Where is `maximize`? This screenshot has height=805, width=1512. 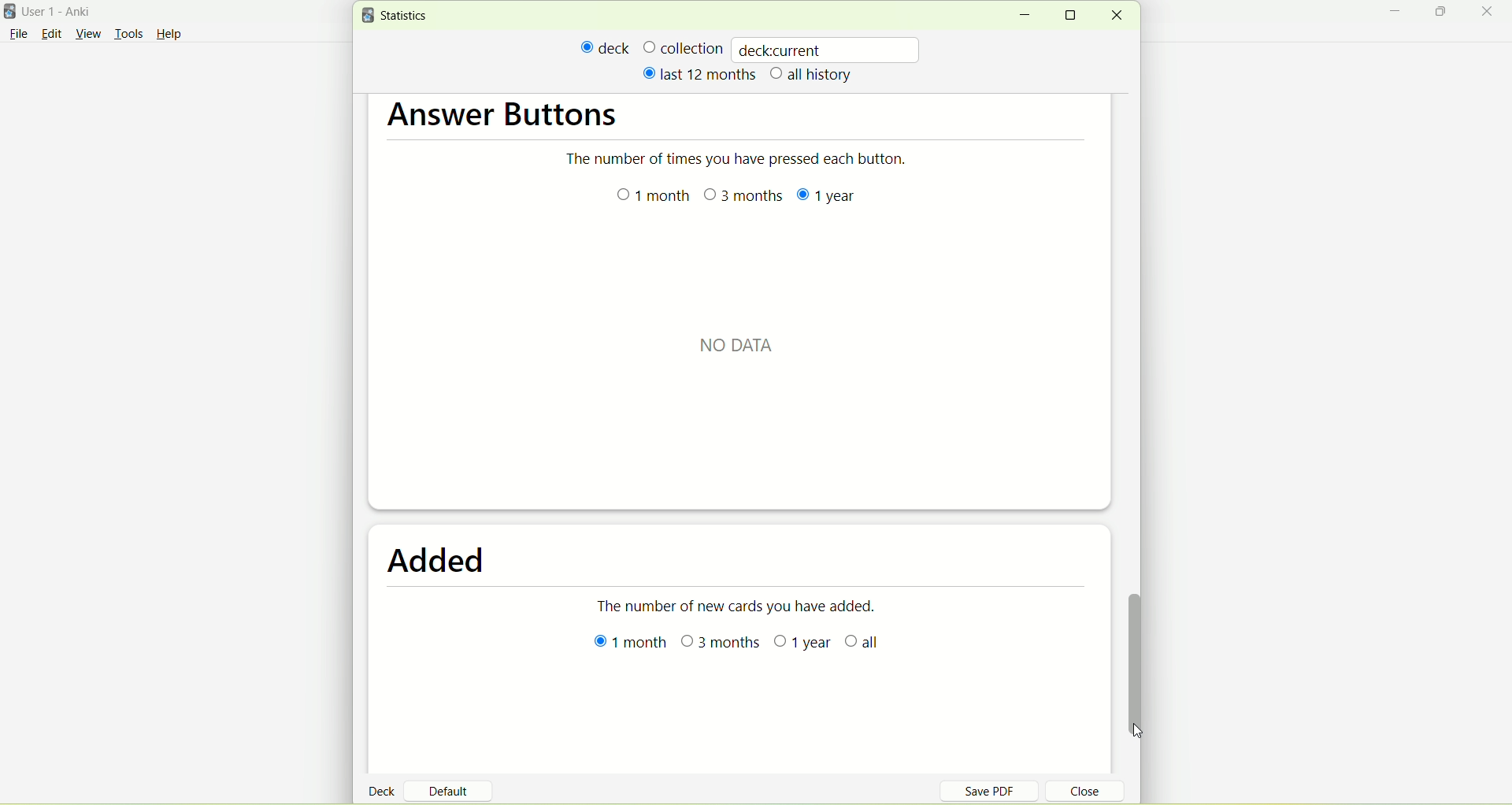
maximize is located at coordinates (1076, 15).